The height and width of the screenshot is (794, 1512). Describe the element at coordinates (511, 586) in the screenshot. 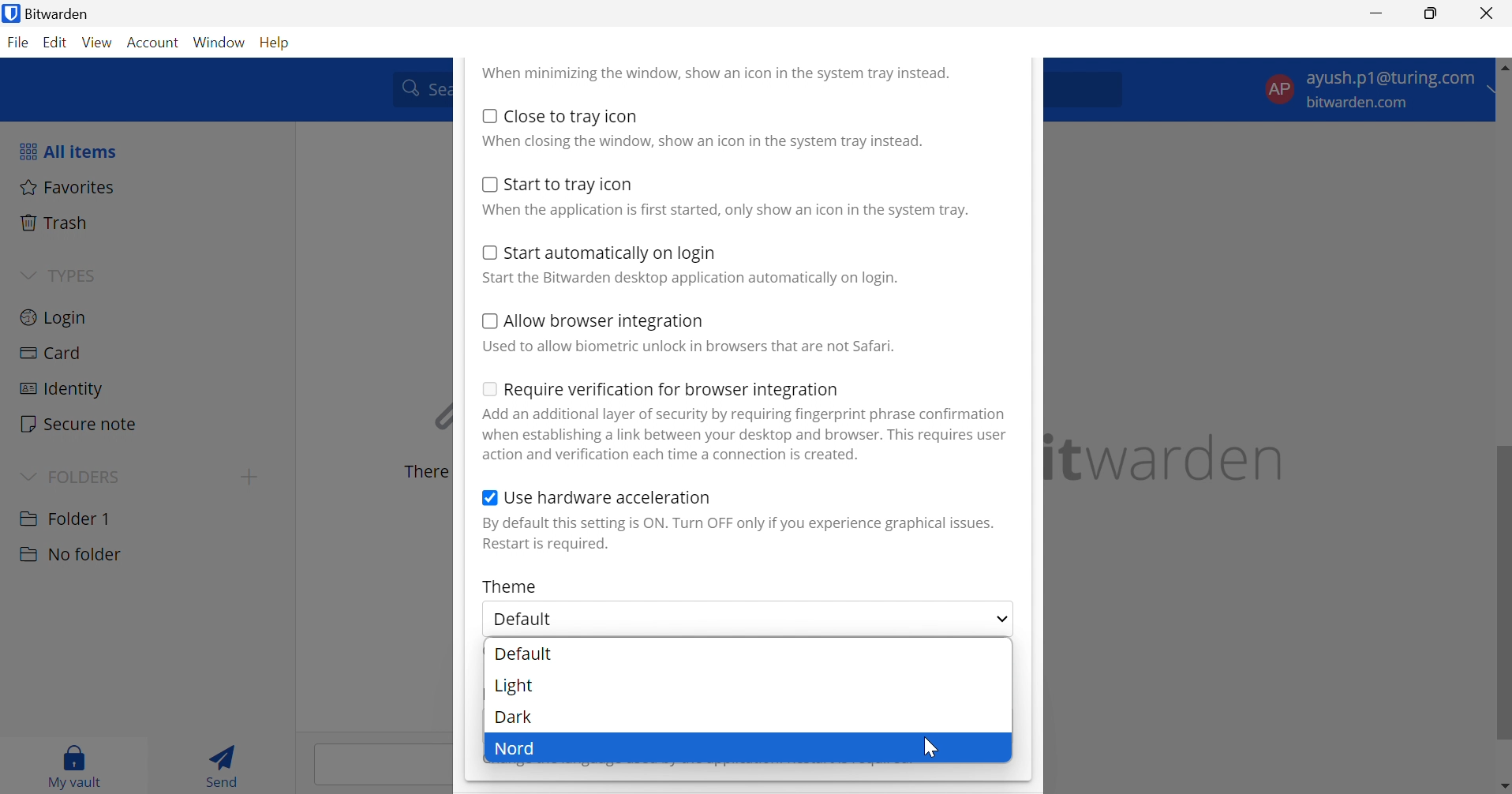

I see `Theme` at that location.